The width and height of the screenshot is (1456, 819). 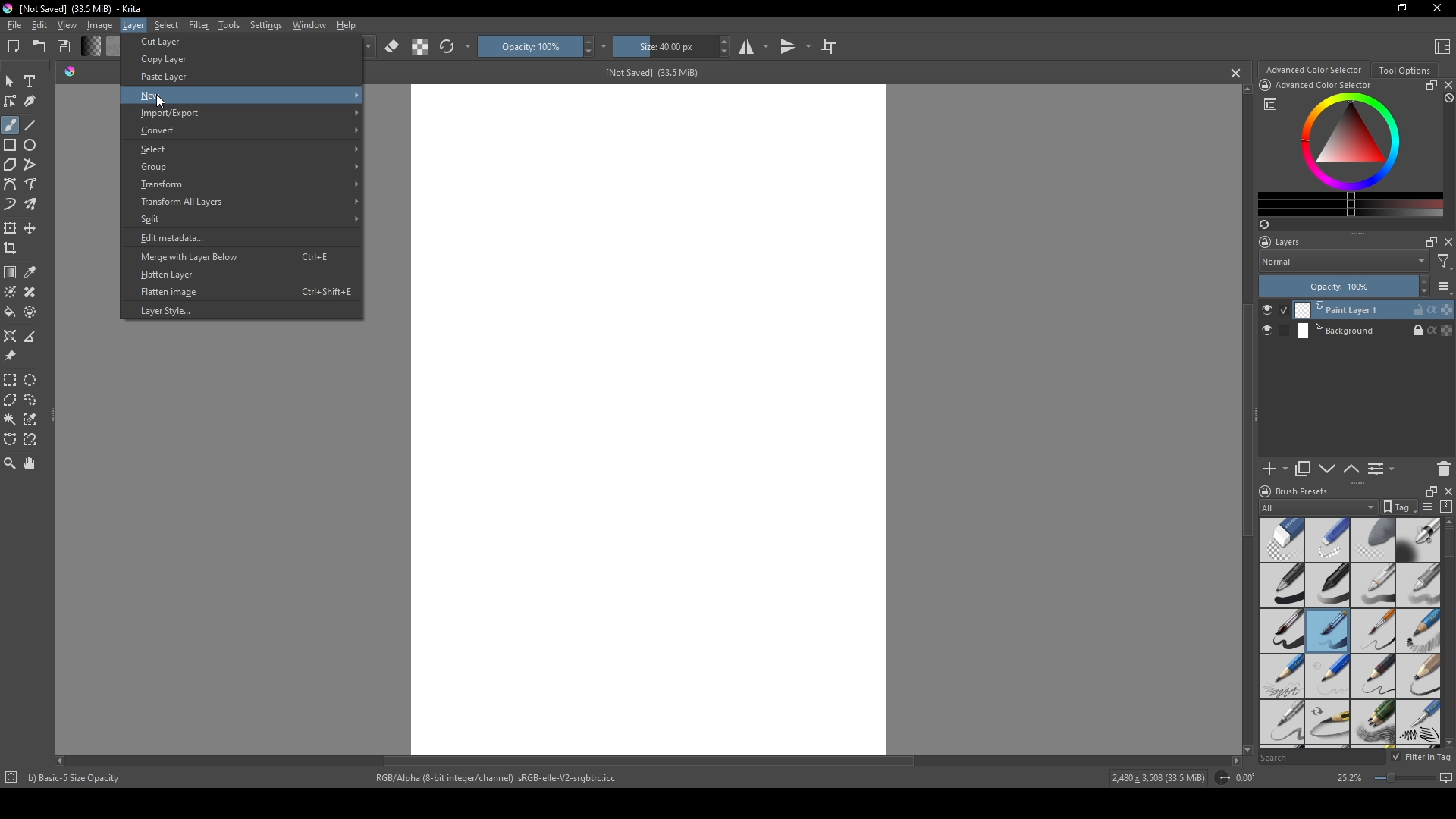 What do you see at coordinates (63, 761) in the screenshot?
I see `scroll left` at bounding box center [63, 761].